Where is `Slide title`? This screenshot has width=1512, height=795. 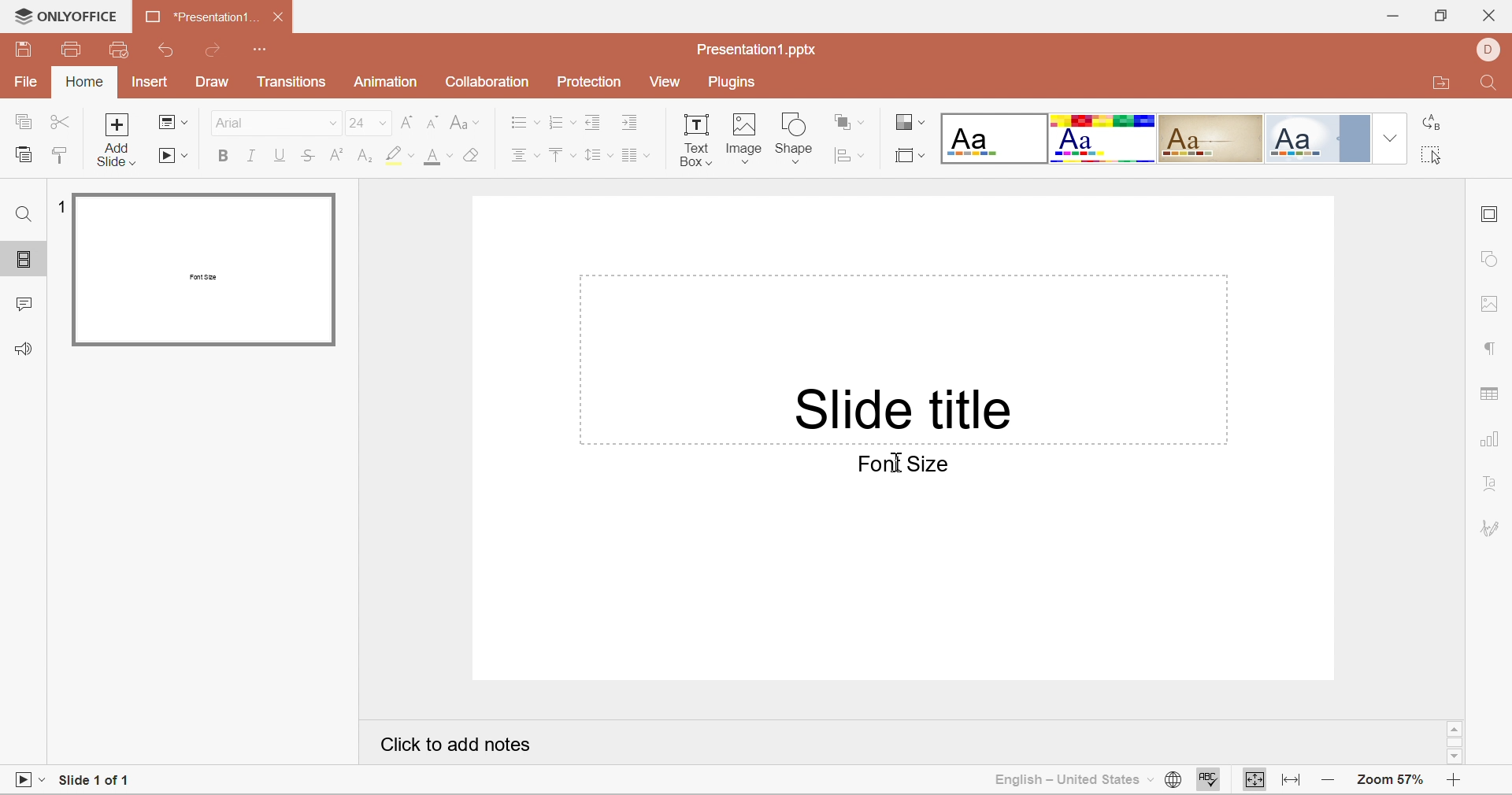
Slide title is located at coordinates (906, 406).